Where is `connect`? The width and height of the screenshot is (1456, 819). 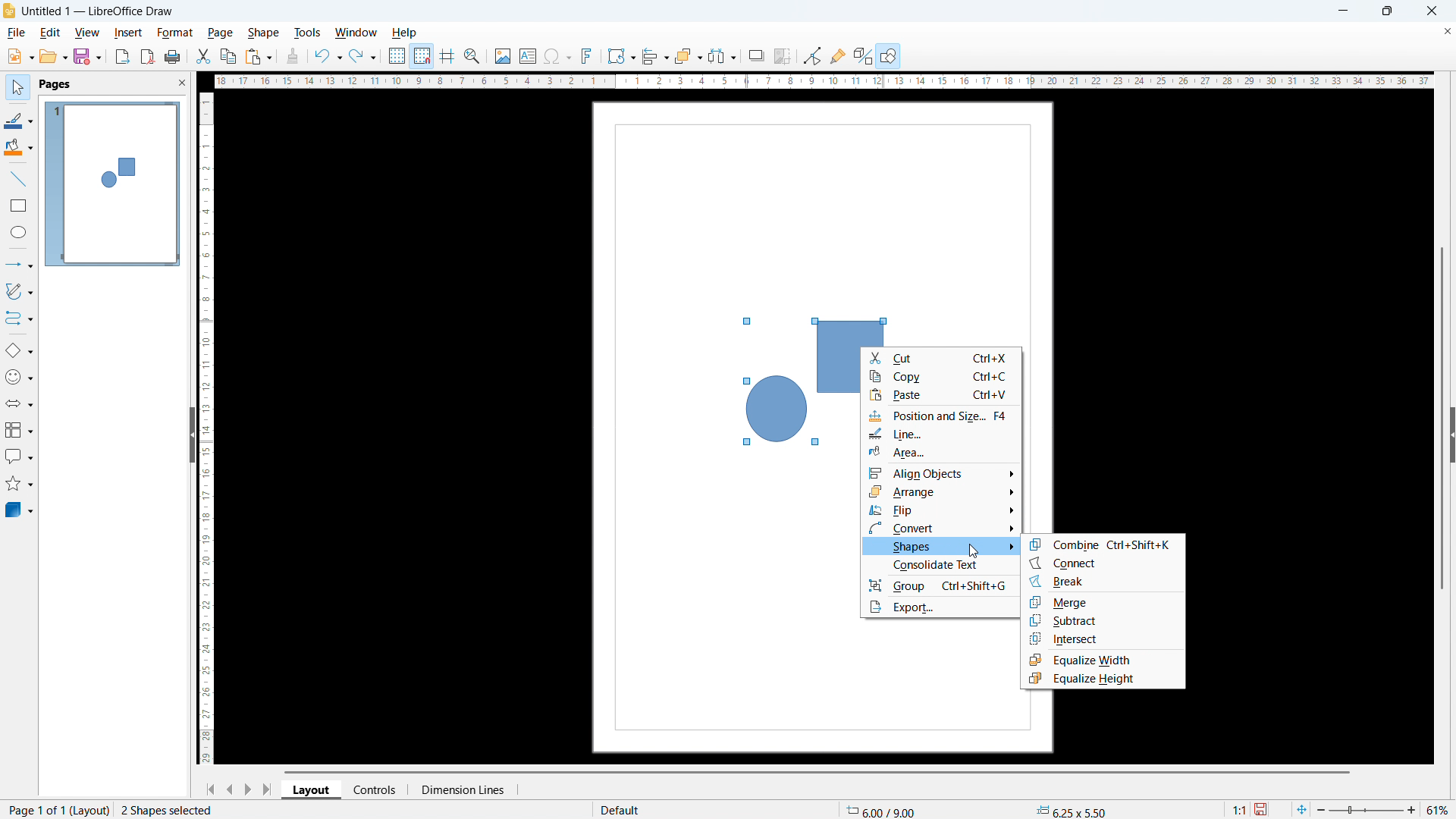 connect is located at coordinates (1106, 562).